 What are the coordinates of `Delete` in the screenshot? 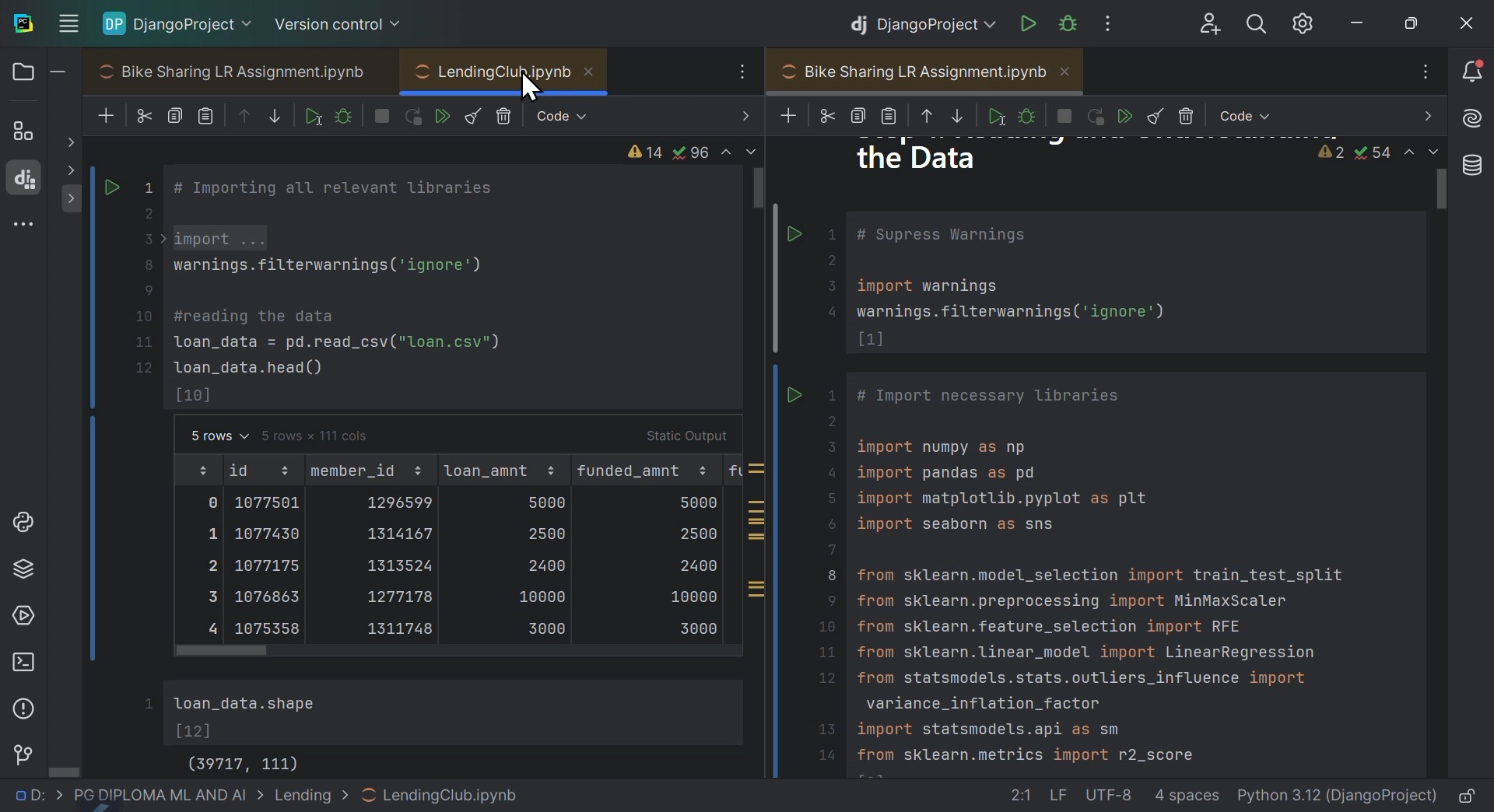 It's located at (510, 114).